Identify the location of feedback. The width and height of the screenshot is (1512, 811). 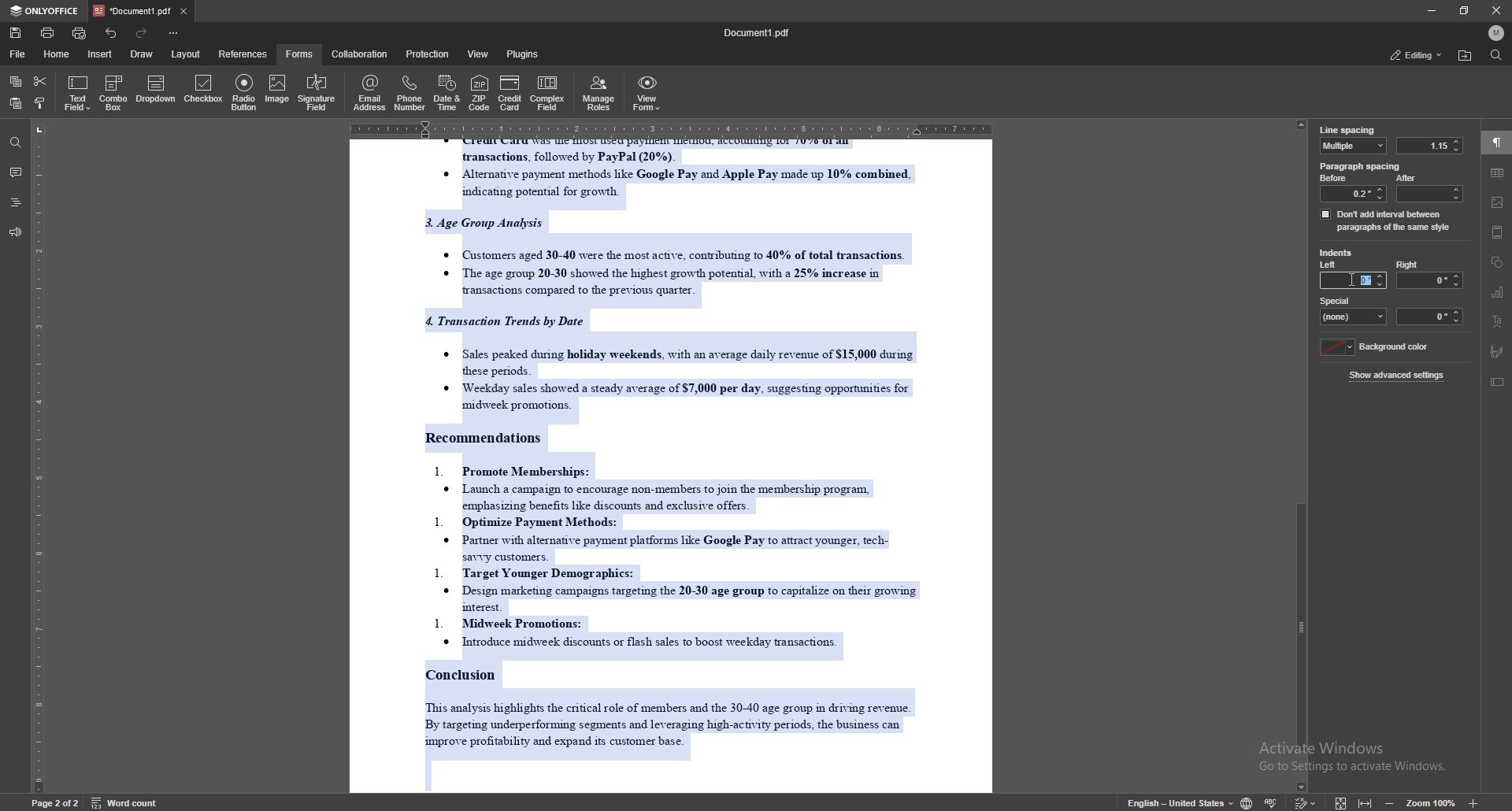
(15, 233).